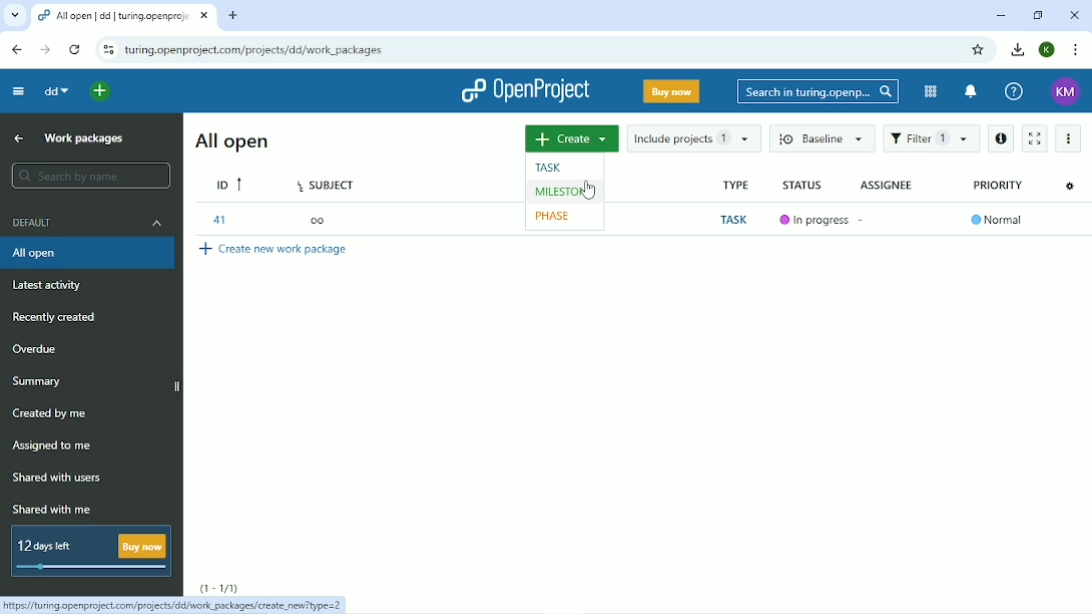 The image size is (1092, 614). Describe the element at coordinates (523, 91) in the screenshot. I see `OpenProject` at that location.